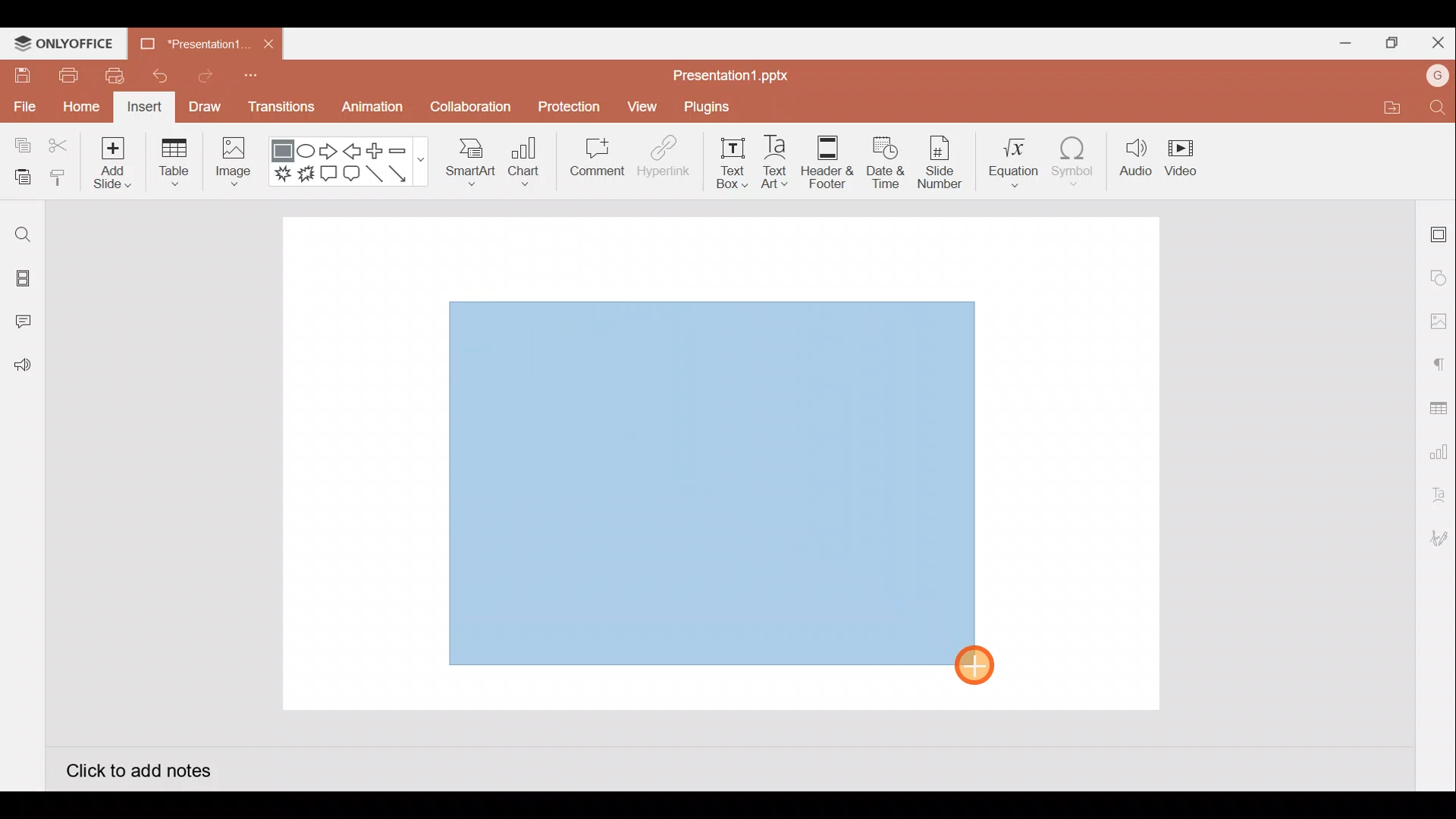  I want to click on Animation, so click(374, 111).